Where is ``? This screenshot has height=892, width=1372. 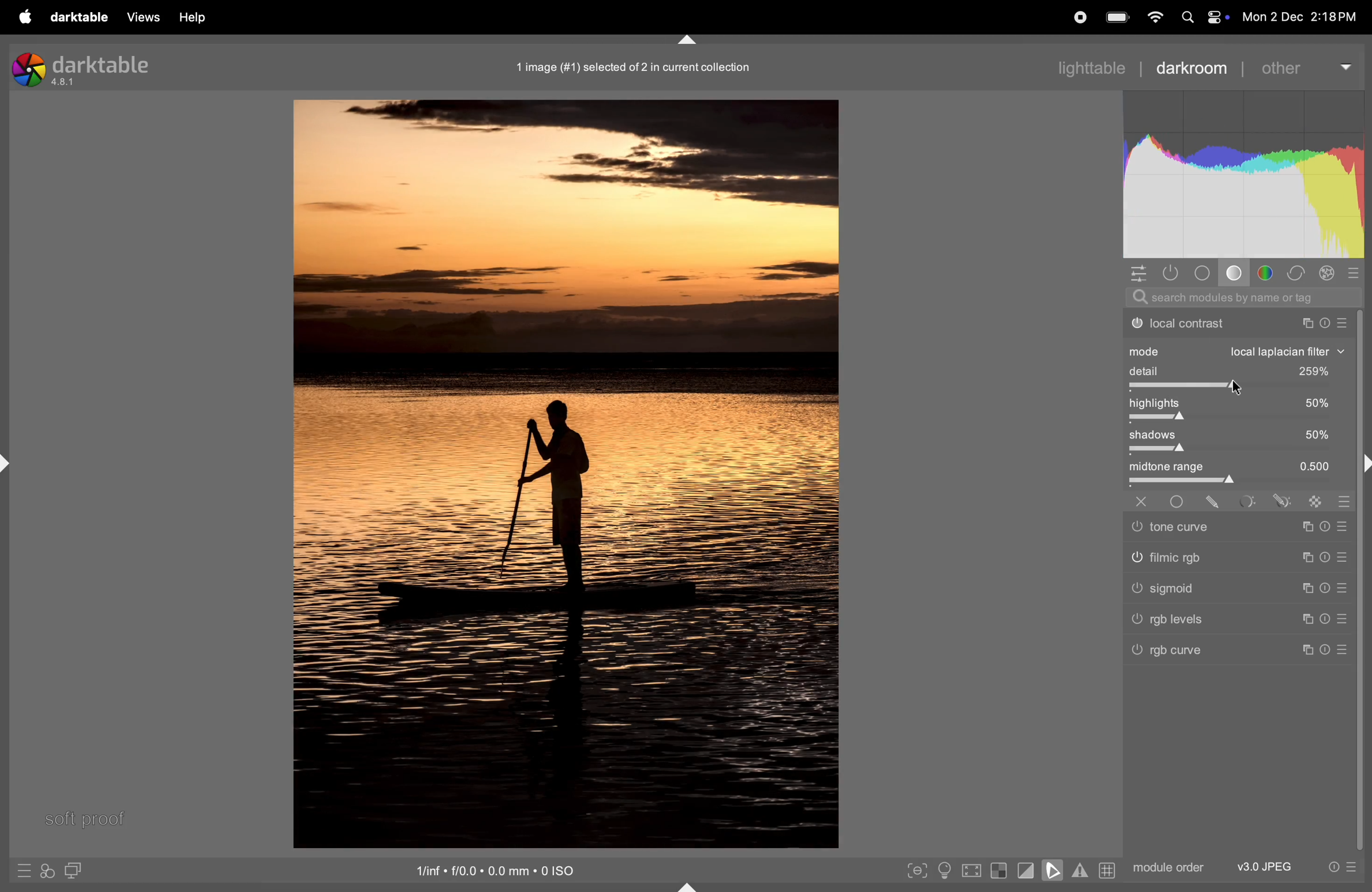
 is located at coordinates (1328, 650).